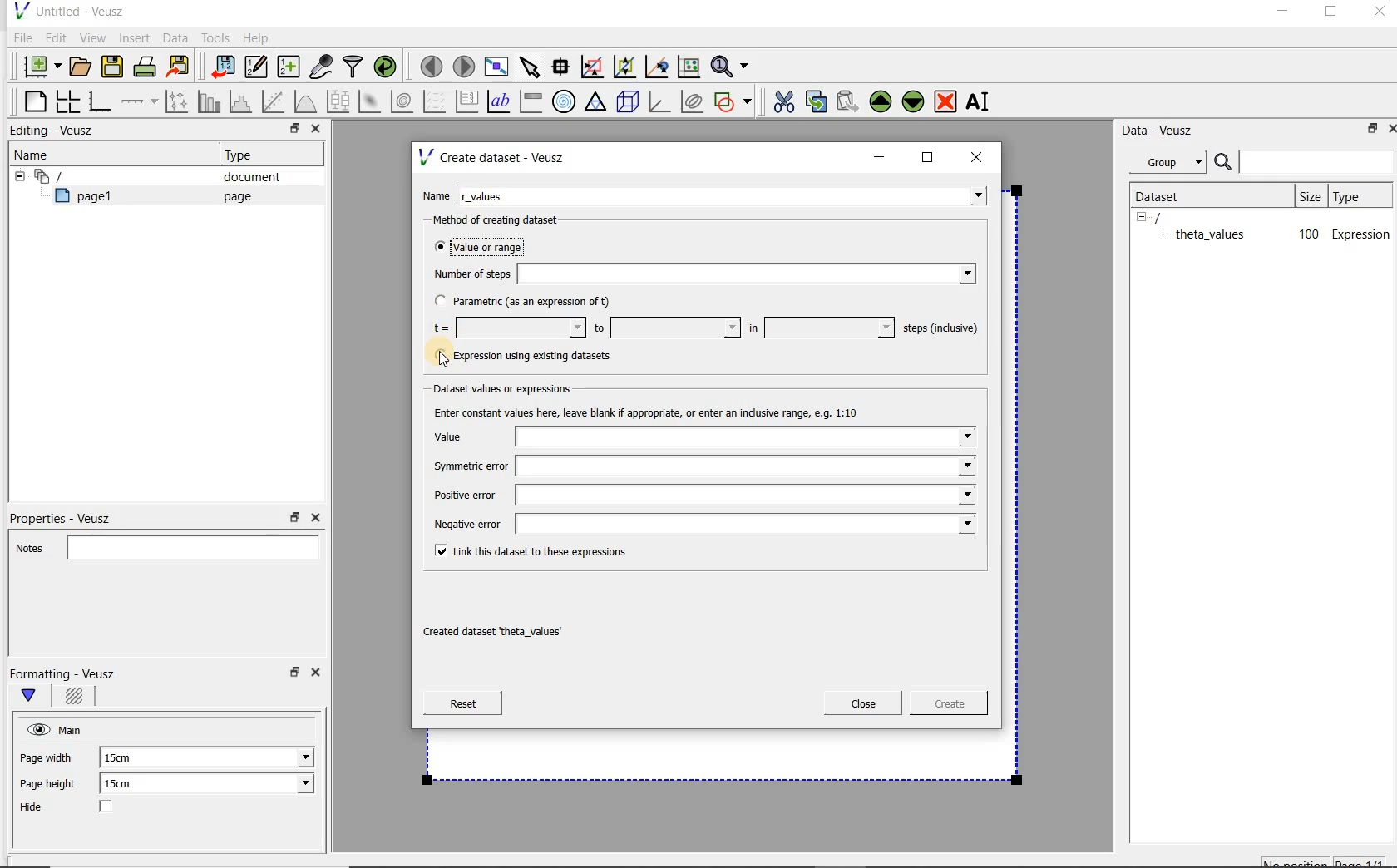 The height and width of the screenshot is (868, 1397). Describe the element at coordinates (275, 101) in the screenshot. I see `Fit a function to data` at that location.